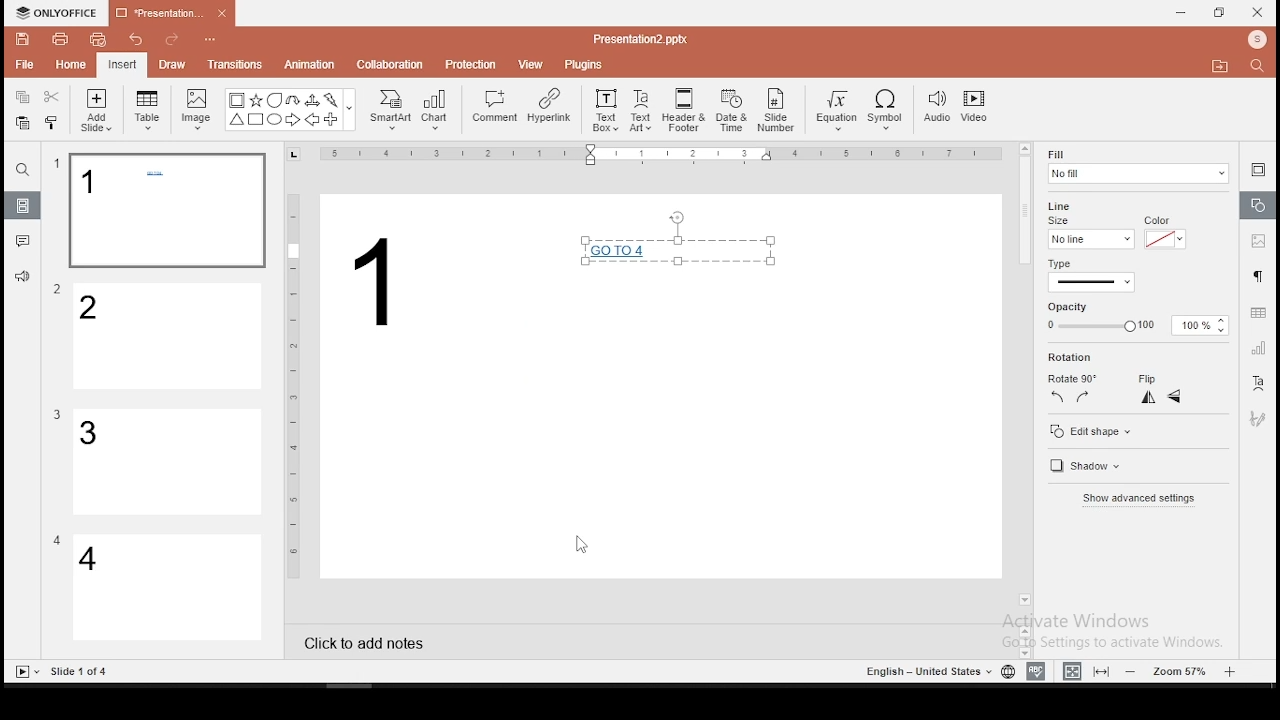 This screenshot has height=720, width=1280. What do you see at coordinates (1257, 384) in the screenshot?
I see `text art tool` at bounding box center [1257, 384].